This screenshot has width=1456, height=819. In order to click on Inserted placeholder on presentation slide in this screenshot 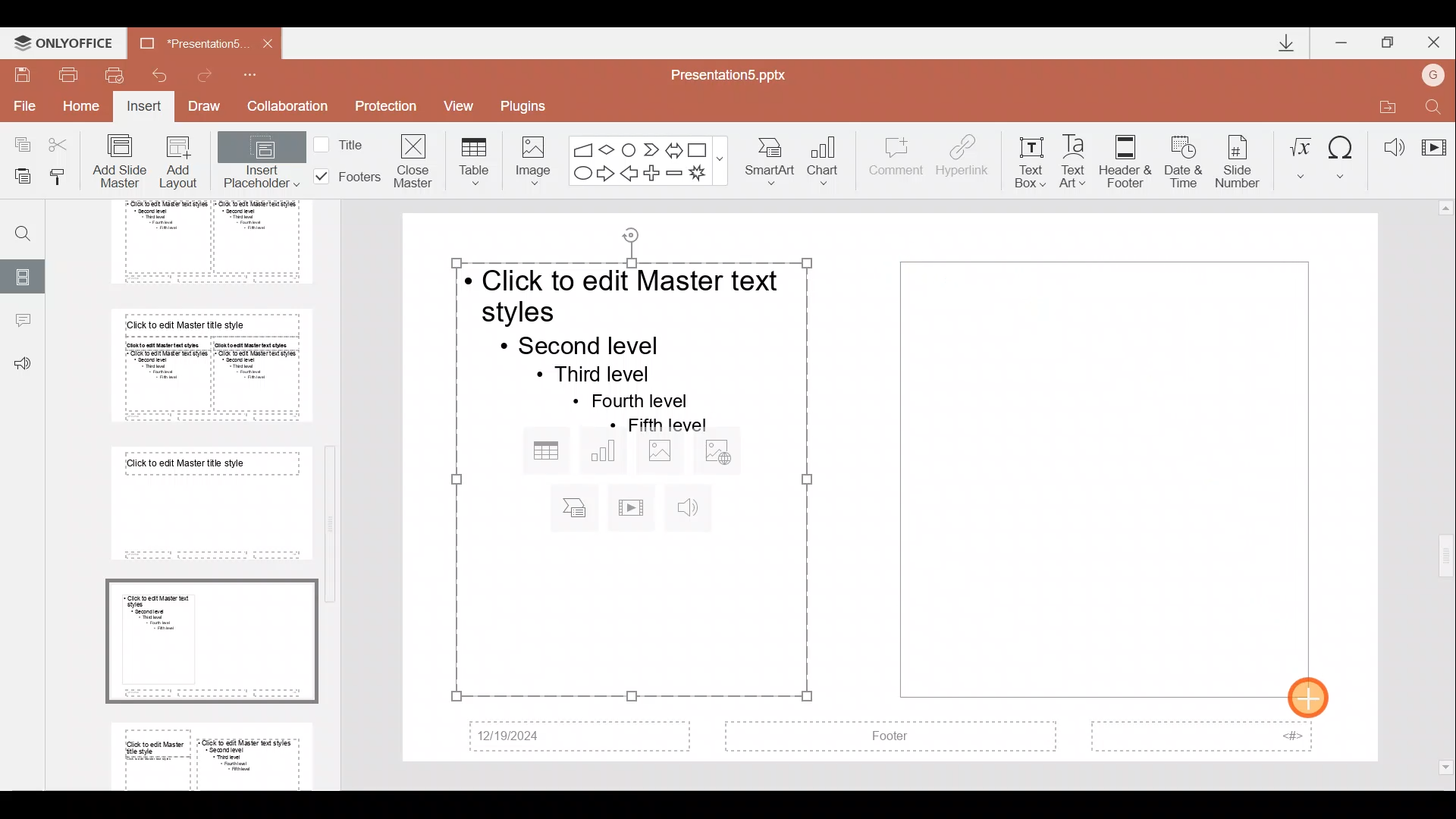, I will do `click(632, 477)`.